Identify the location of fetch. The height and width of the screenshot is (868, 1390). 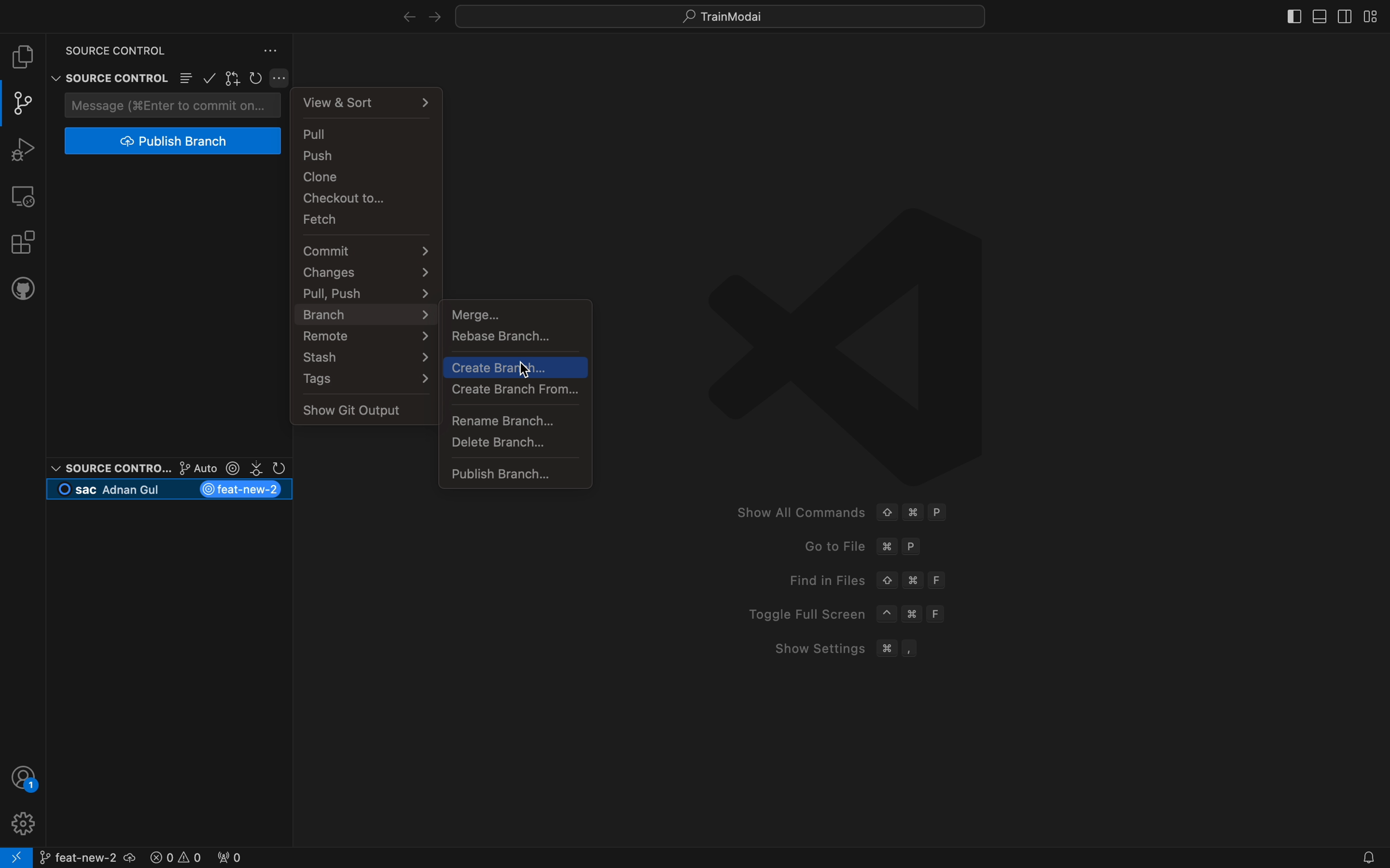
(365, 220).